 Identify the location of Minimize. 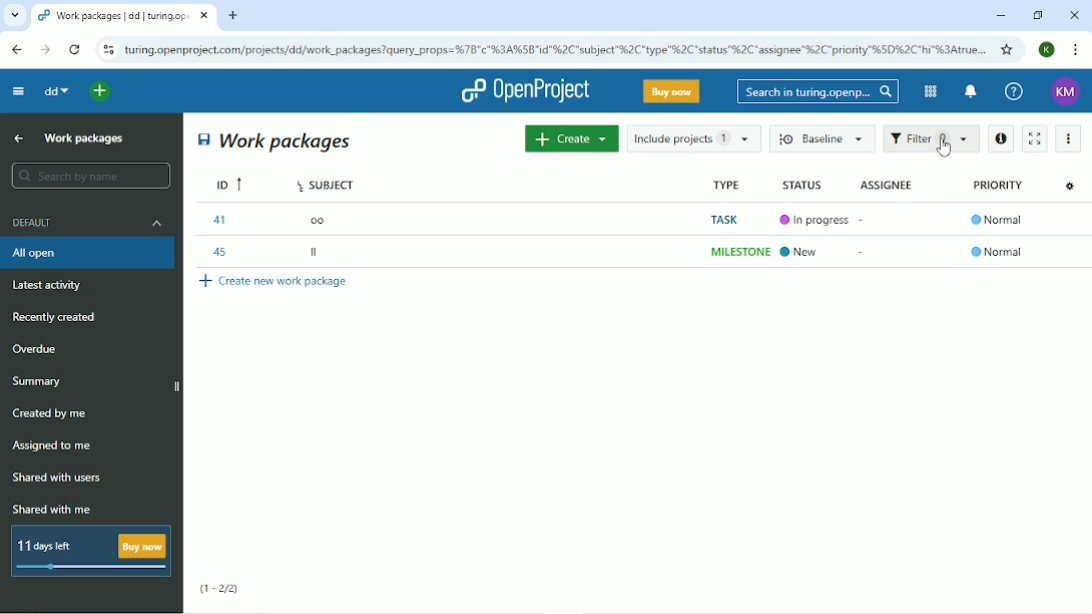
(1000, 16).